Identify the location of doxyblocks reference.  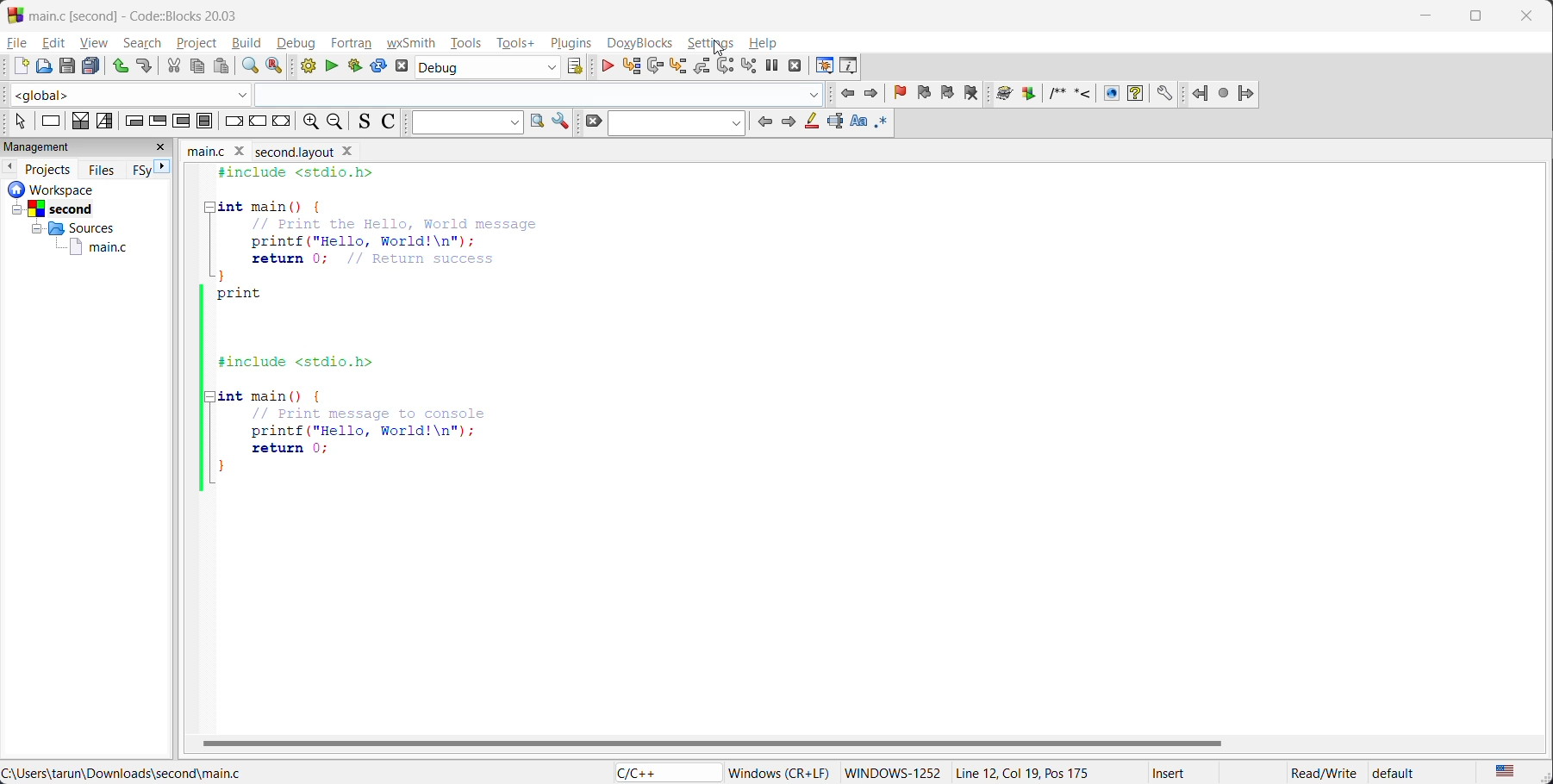
(1088, 94).